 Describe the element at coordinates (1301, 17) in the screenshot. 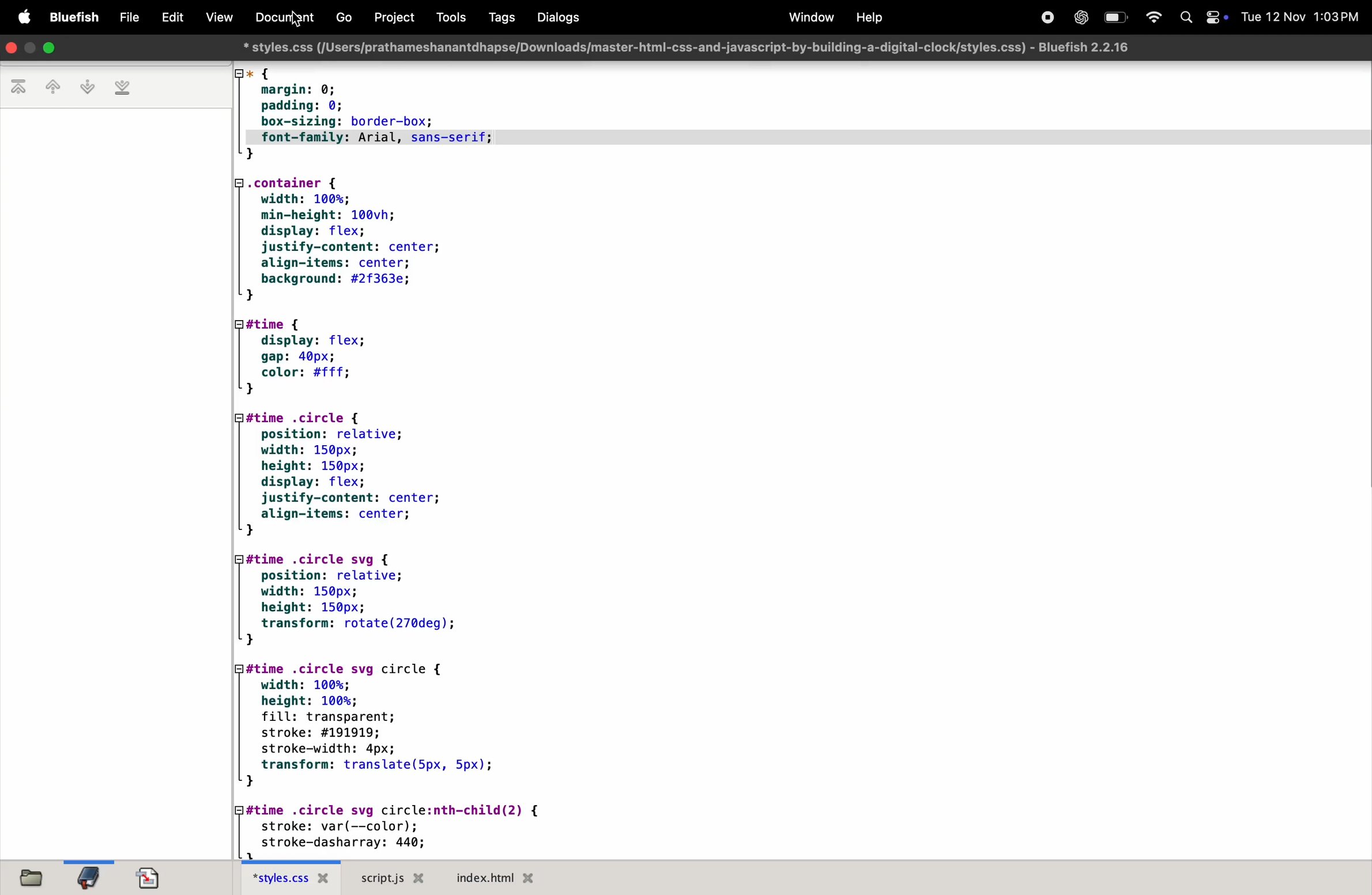

I see `Tue 12 Nov 1:03PM` at that location.